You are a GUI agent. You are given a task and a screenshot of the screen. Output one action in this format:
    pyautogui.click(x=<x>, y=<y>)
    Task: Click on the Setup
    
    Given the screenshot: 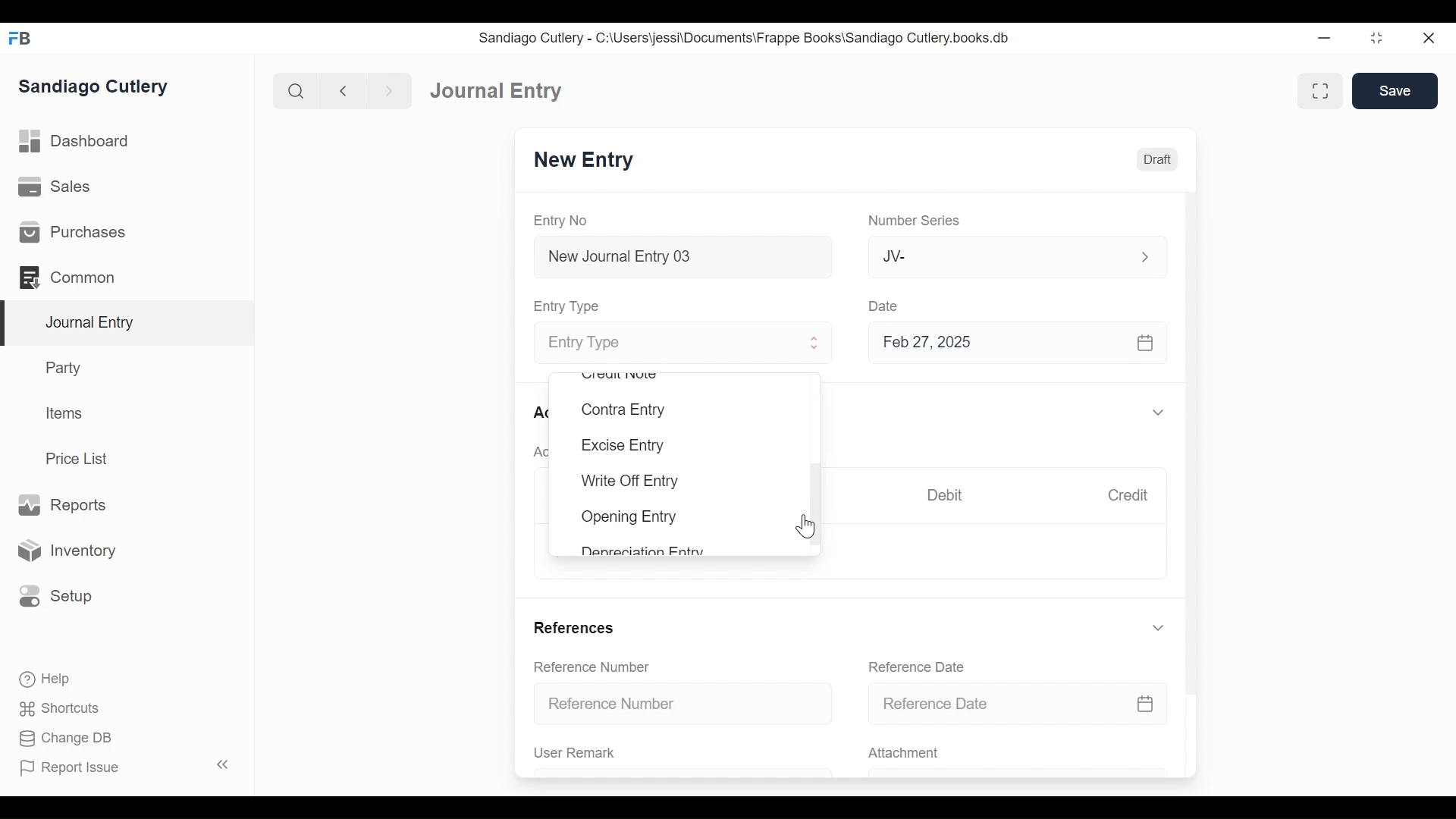 What is the action you would take?
    pyautogui.click(x=56, y=597)
    